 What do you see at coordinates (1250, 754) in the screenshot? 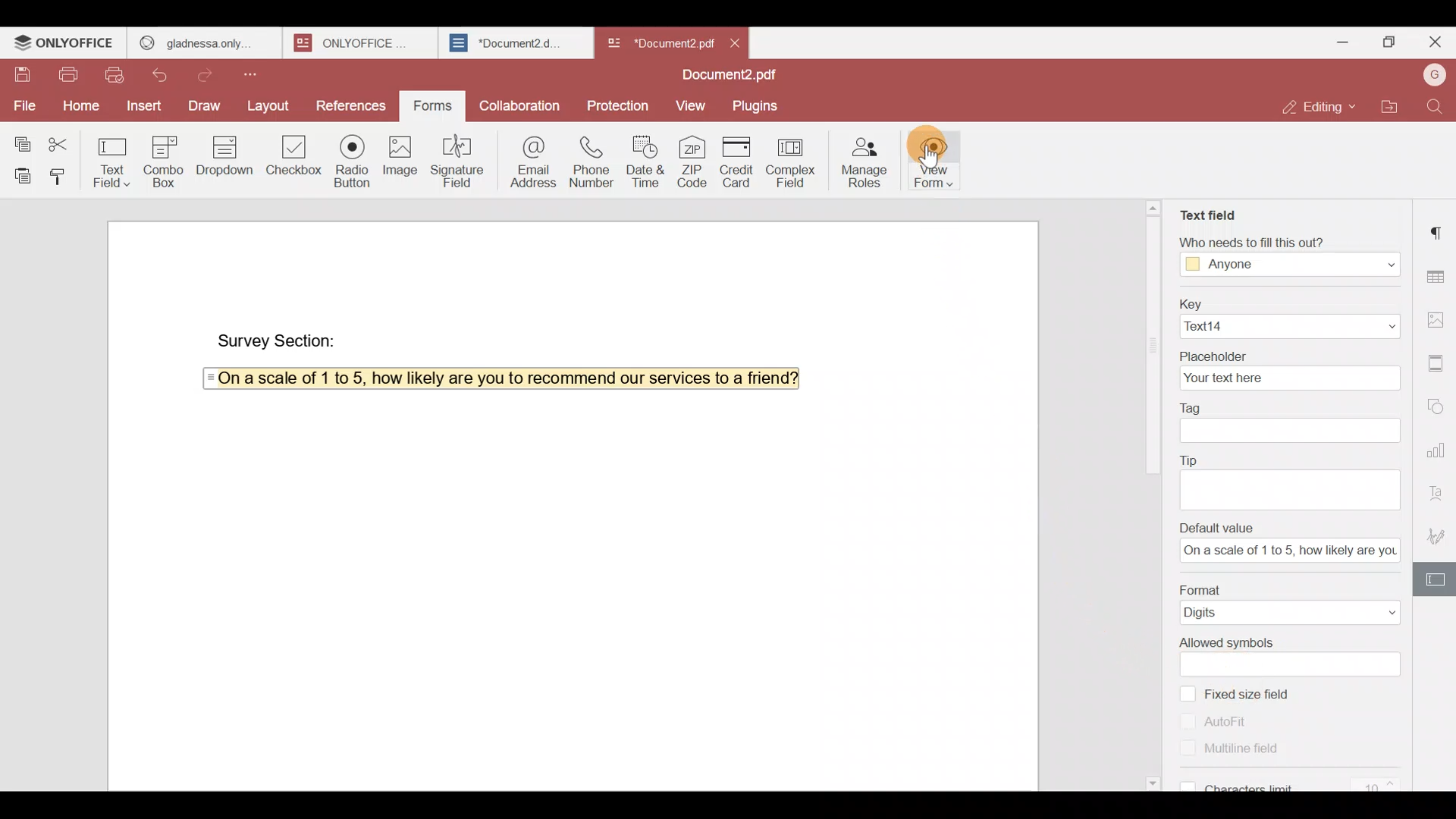
I see `Multiline field` at bounding box center [1250, 754].